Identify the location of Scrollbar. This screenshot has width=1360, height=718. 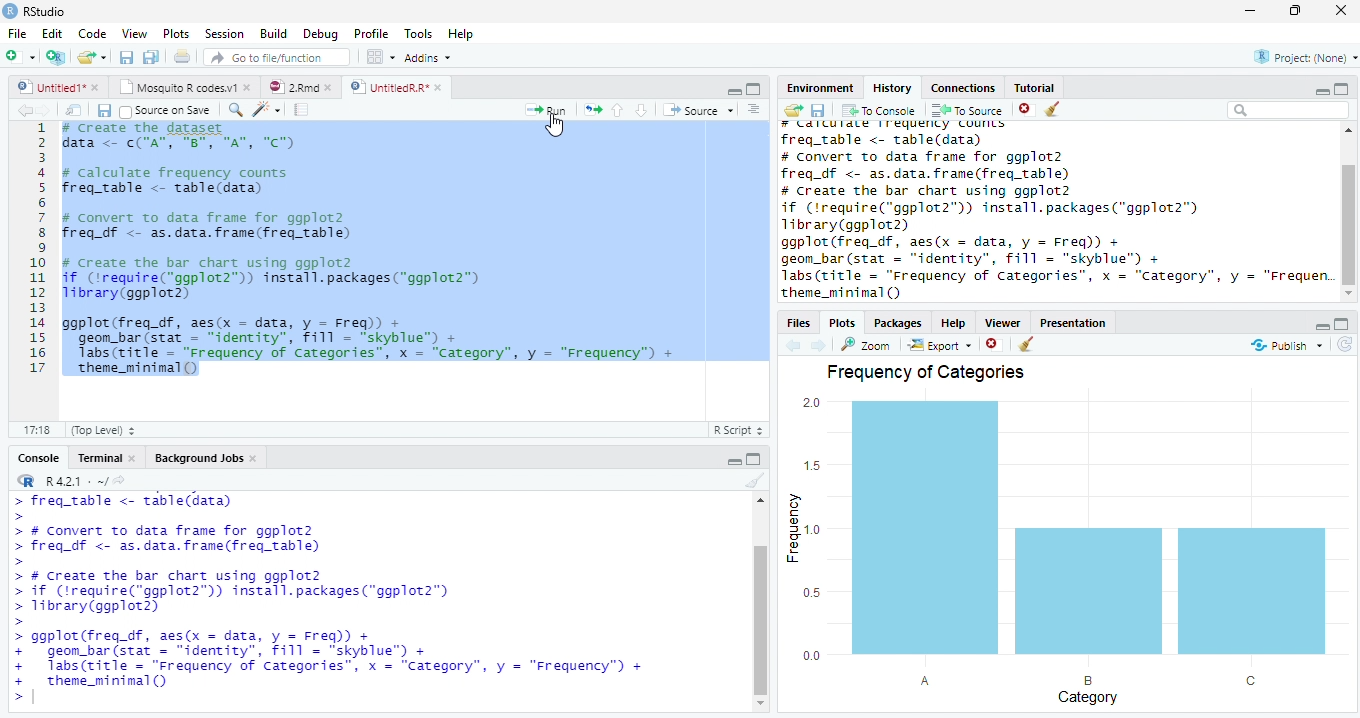
(1351, 211).